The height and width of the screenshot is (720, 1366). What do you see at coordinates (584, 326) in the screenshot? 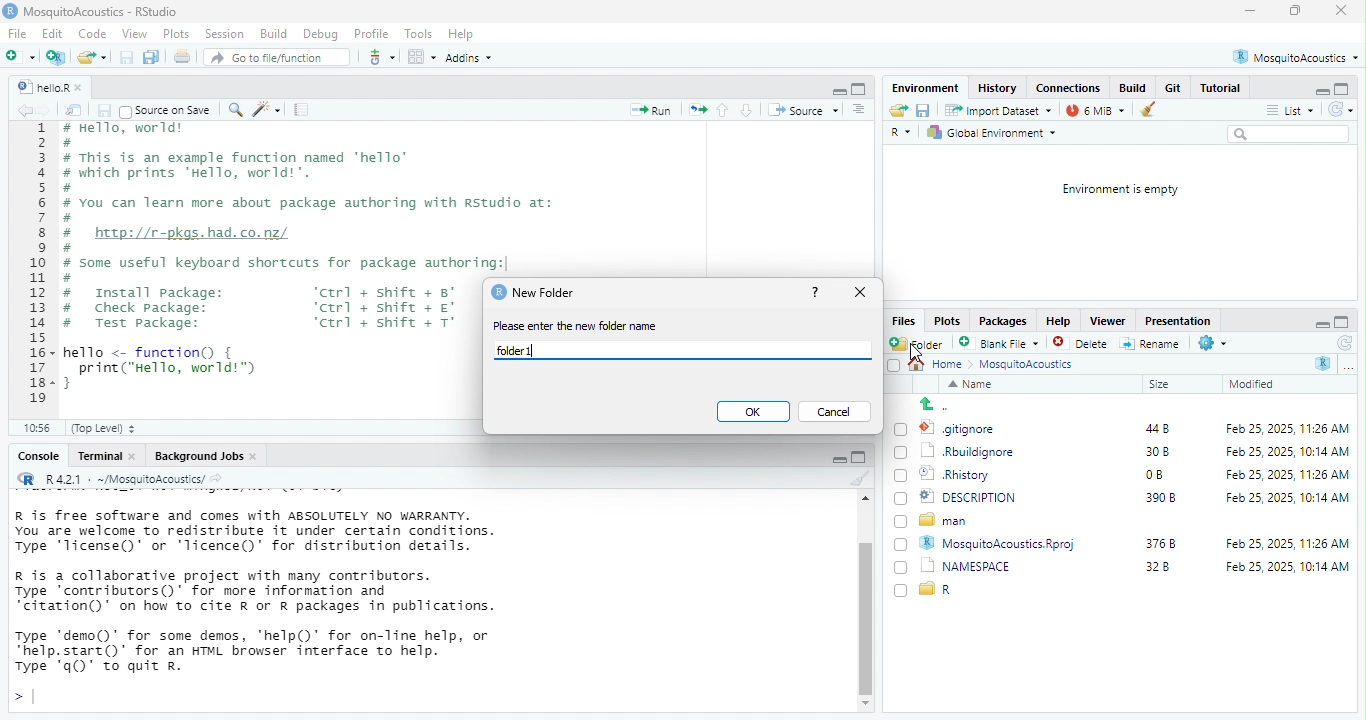
I see `Please enter the new folder name` at bounding box center [584, 326].